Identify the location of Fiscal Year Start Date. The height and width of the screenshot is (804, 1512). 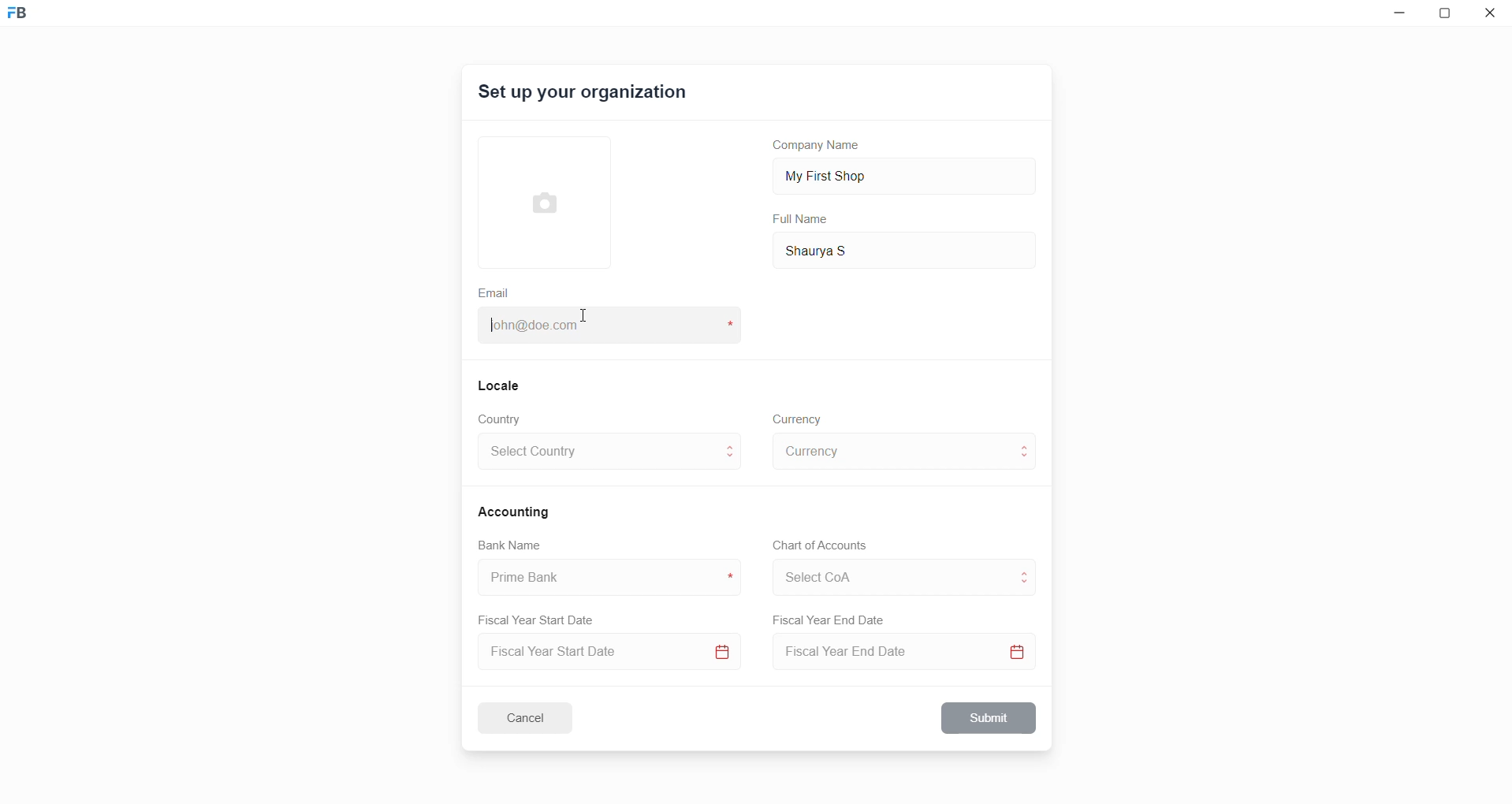
(542, 617).